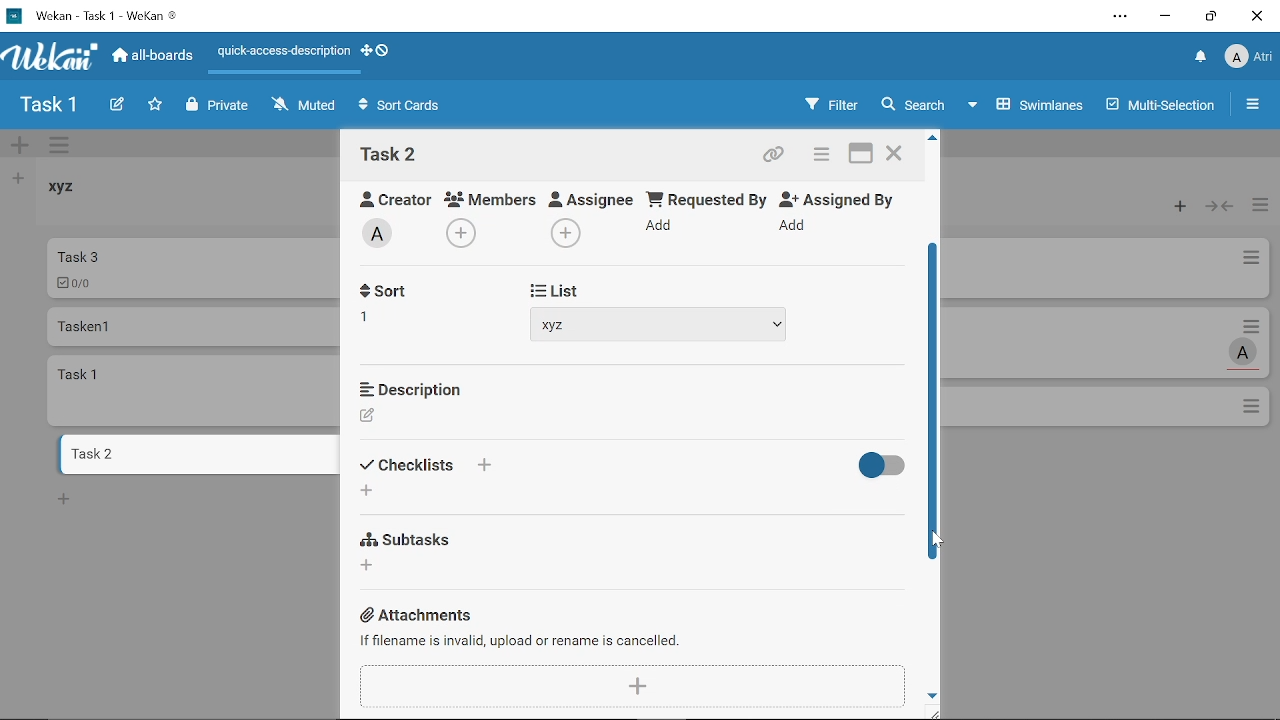 This screenshot has height=720, width=1280. Describe the element at coordinates (933, 694) in the screenshot. I see `move down` at that location.